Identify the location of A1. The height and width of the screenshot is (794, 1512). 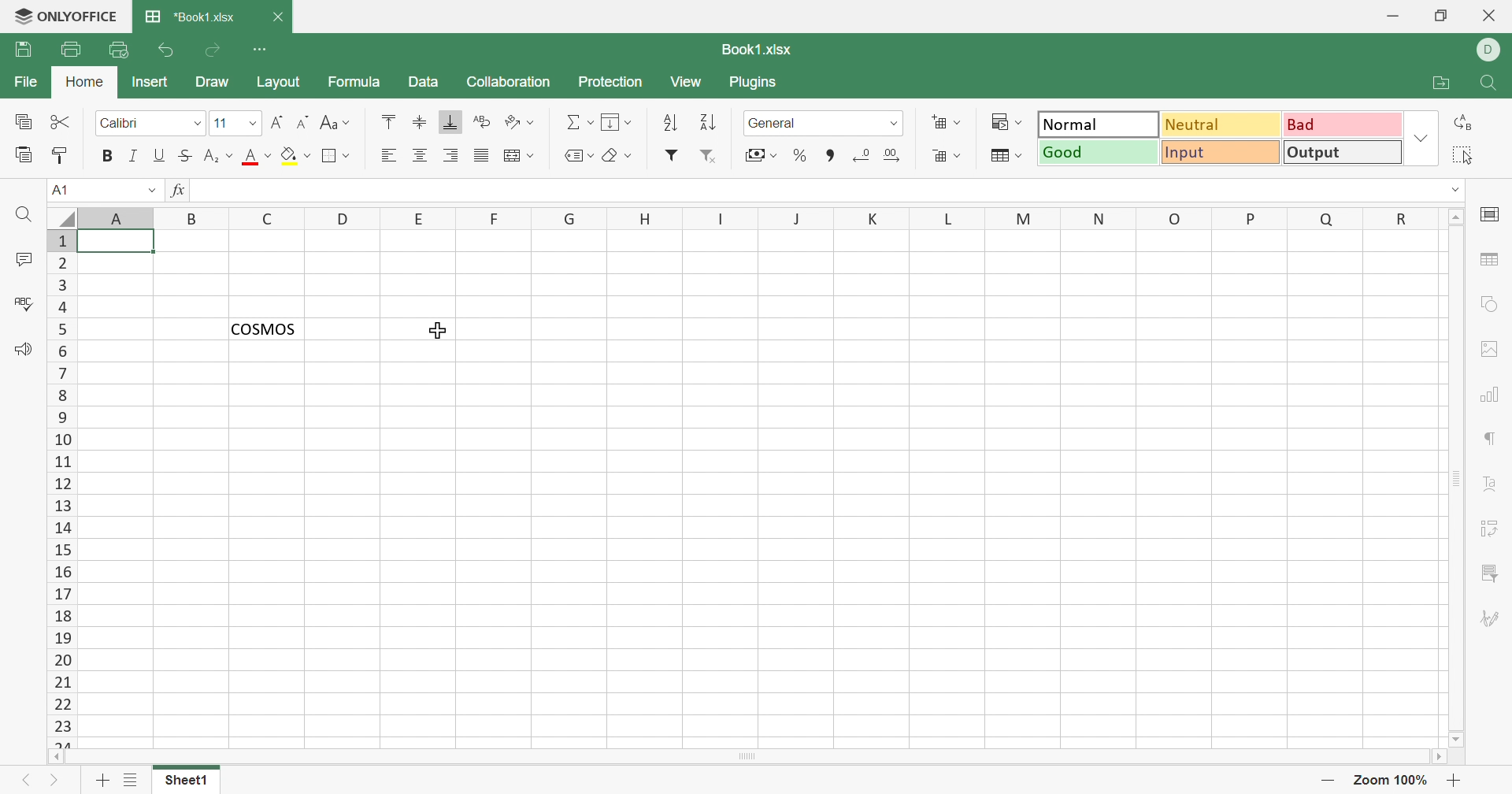
(61, 189).